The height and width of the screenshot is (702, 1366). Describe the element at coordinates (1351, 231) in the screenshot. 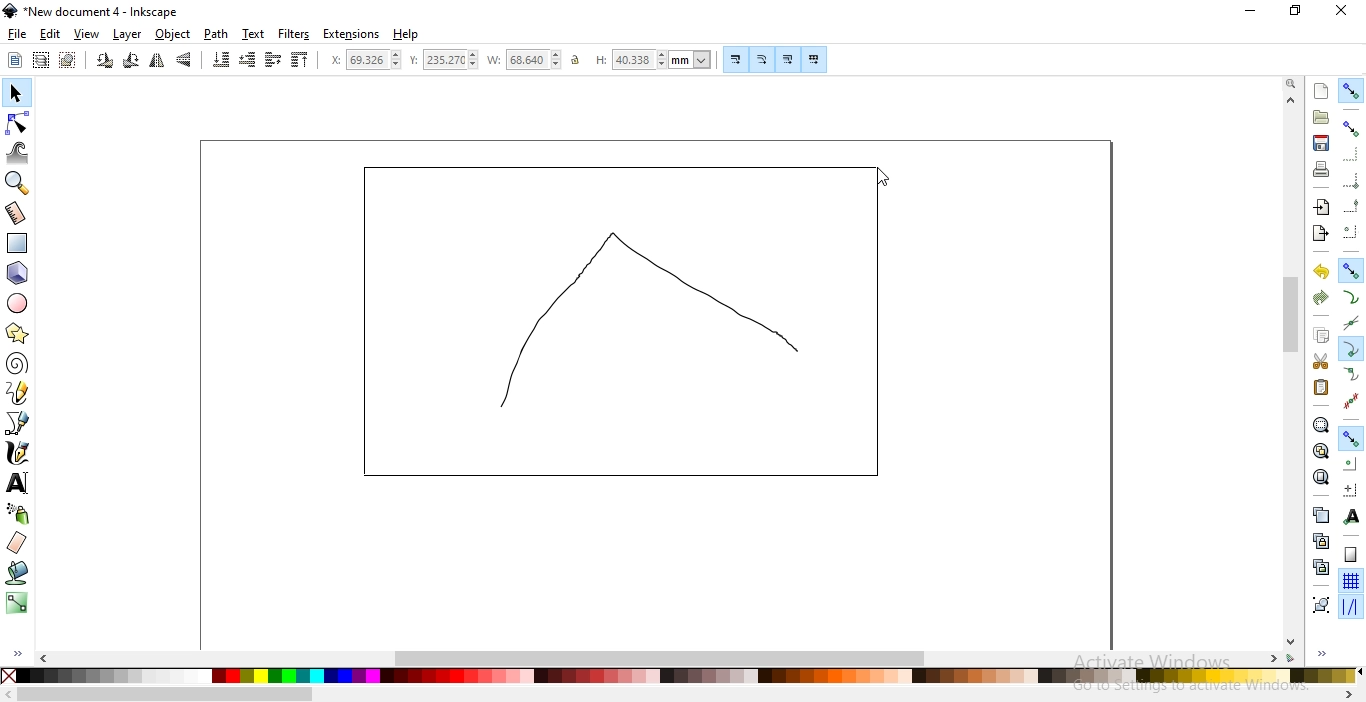

I see `snapping centers of bounding boxes` at that location.